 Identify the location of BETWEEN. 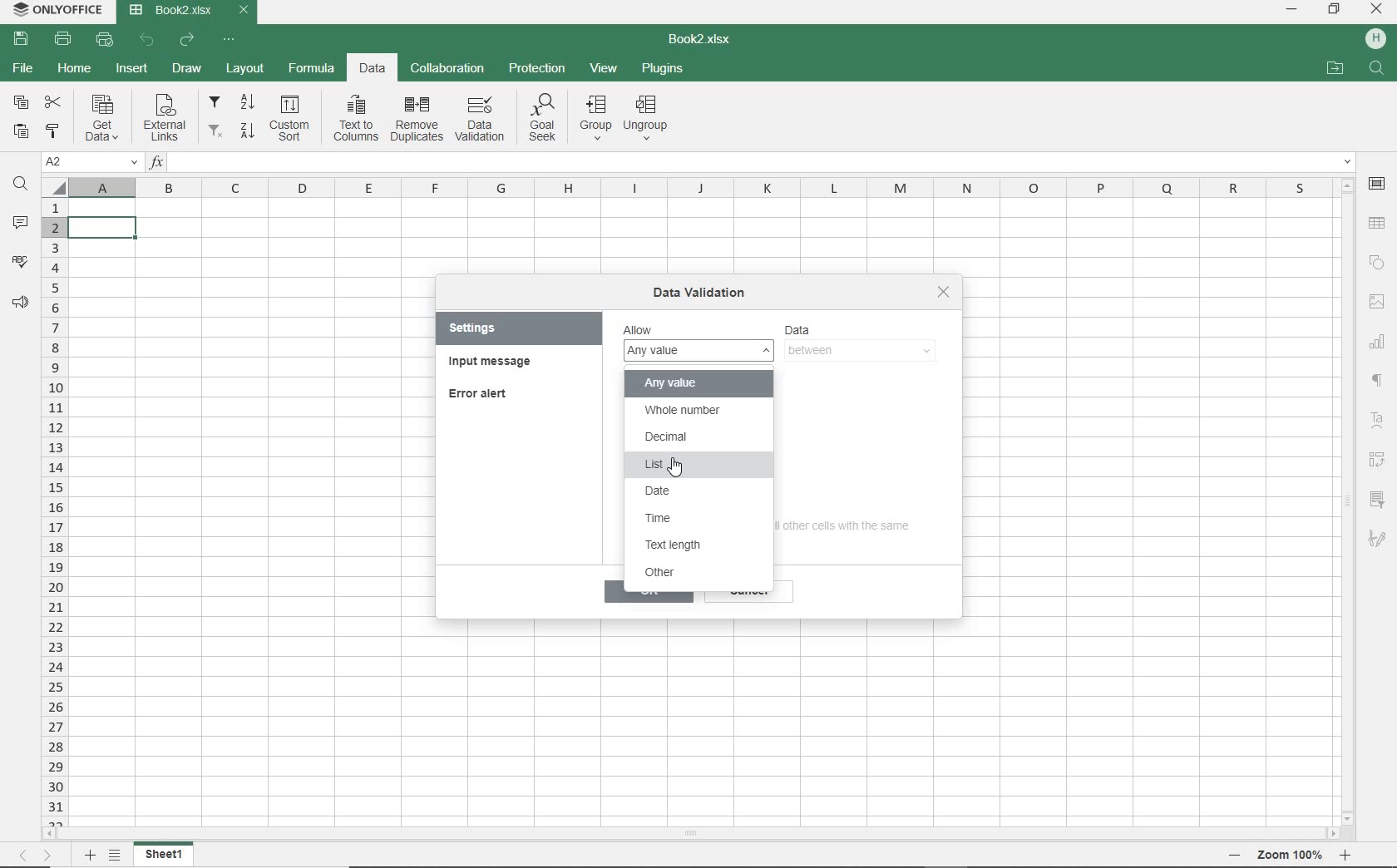
(861, 352).